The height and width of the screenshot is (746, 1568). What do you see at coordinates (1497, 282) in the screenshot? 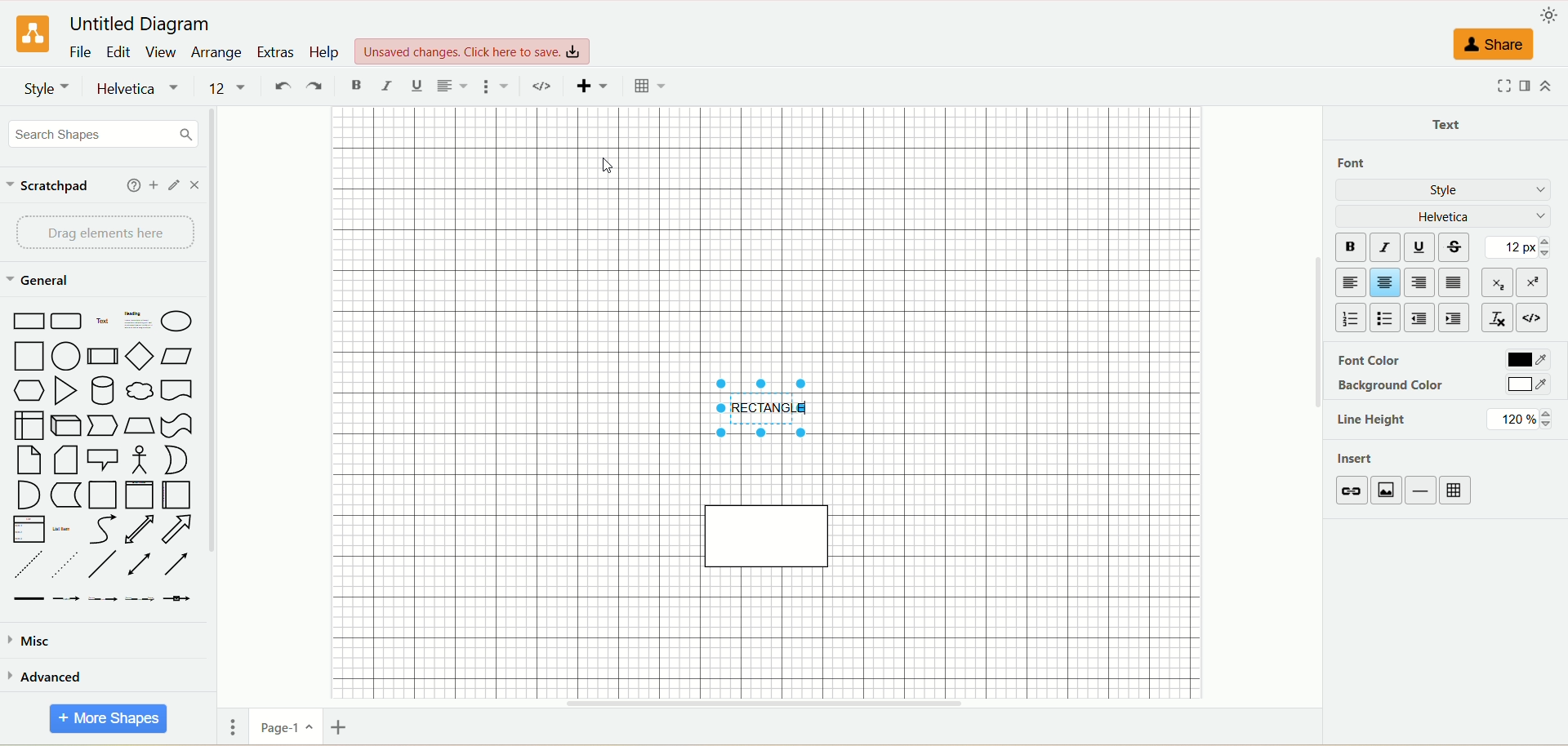
I see `subscript` at bounding box center [1497, 282].